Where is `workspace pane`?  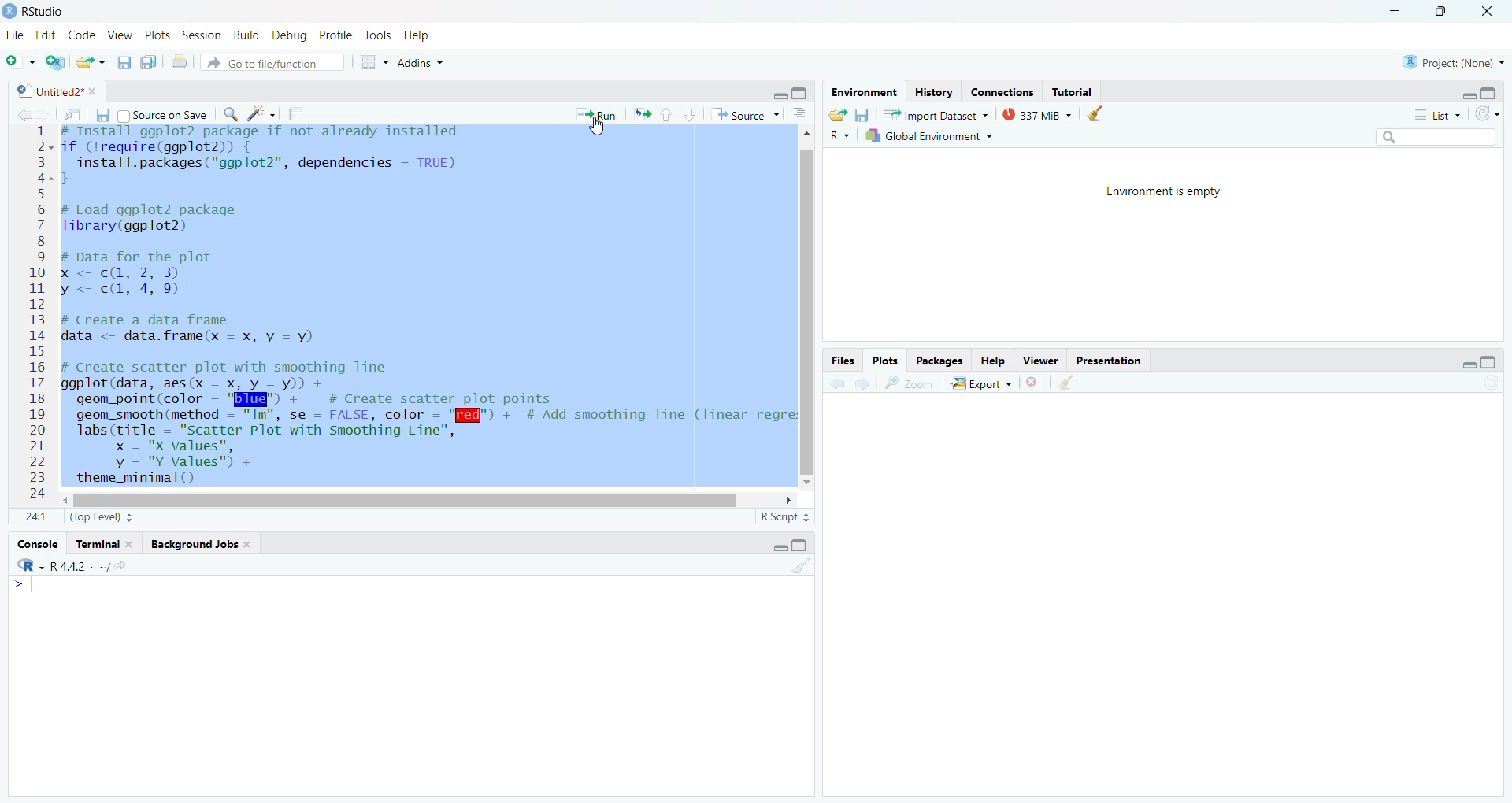
workspace pane is located at coordinates (376, 61).